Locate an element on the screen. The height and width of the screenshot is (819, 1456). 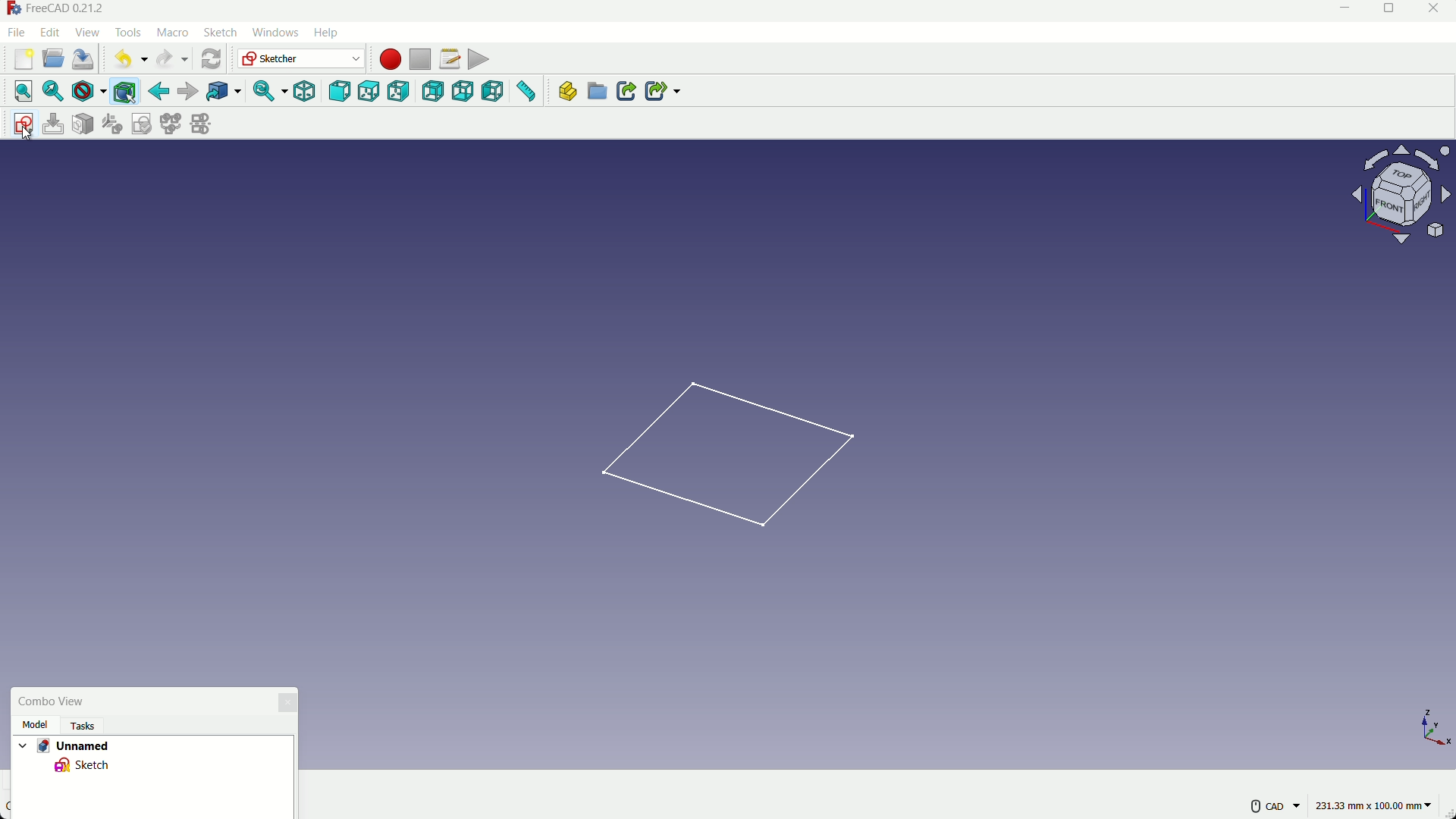
isometric view is located at coordinates (305, 92).